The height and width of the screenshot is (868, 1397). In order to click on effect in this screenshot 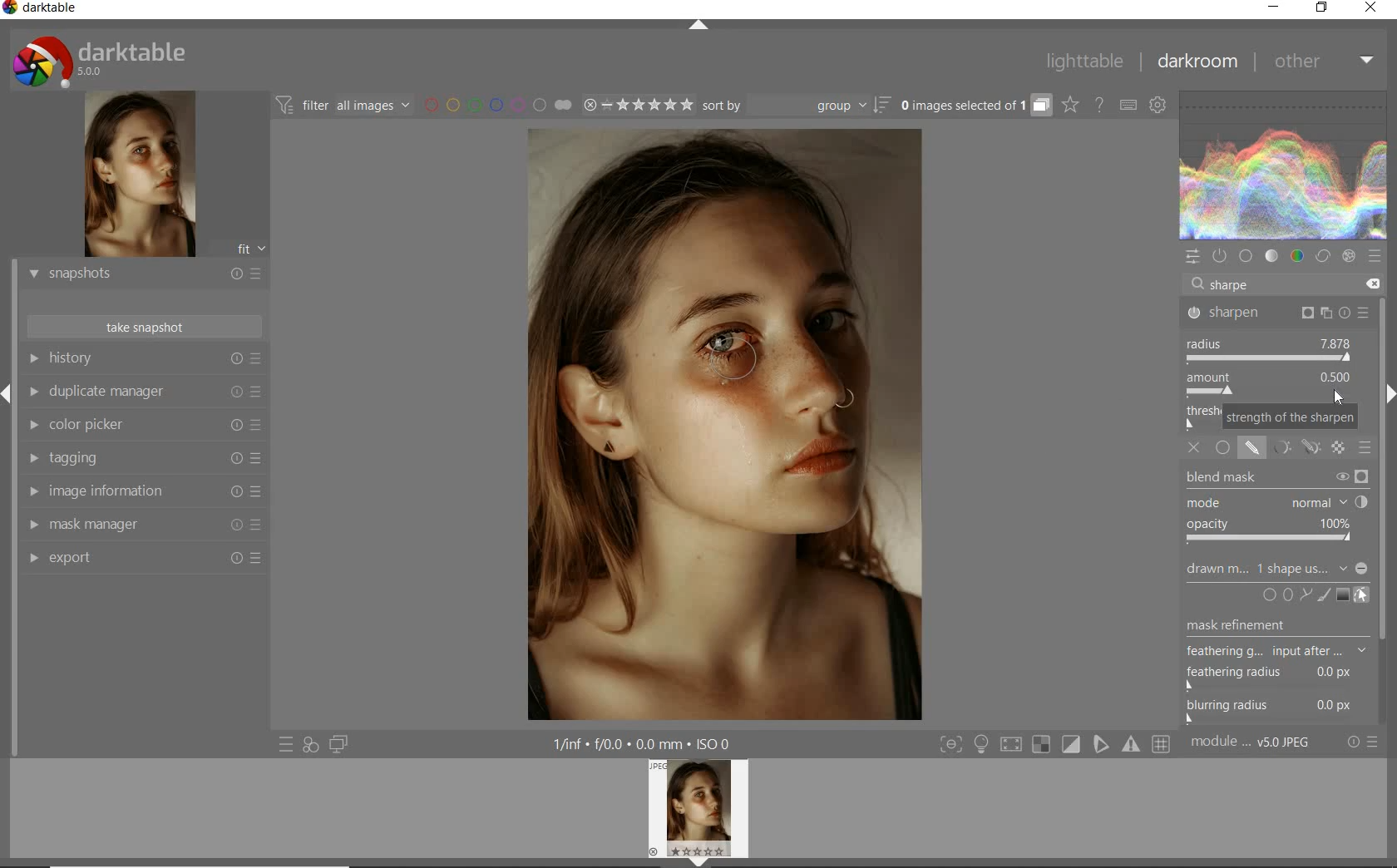, I will do `click(1349, 256)`.